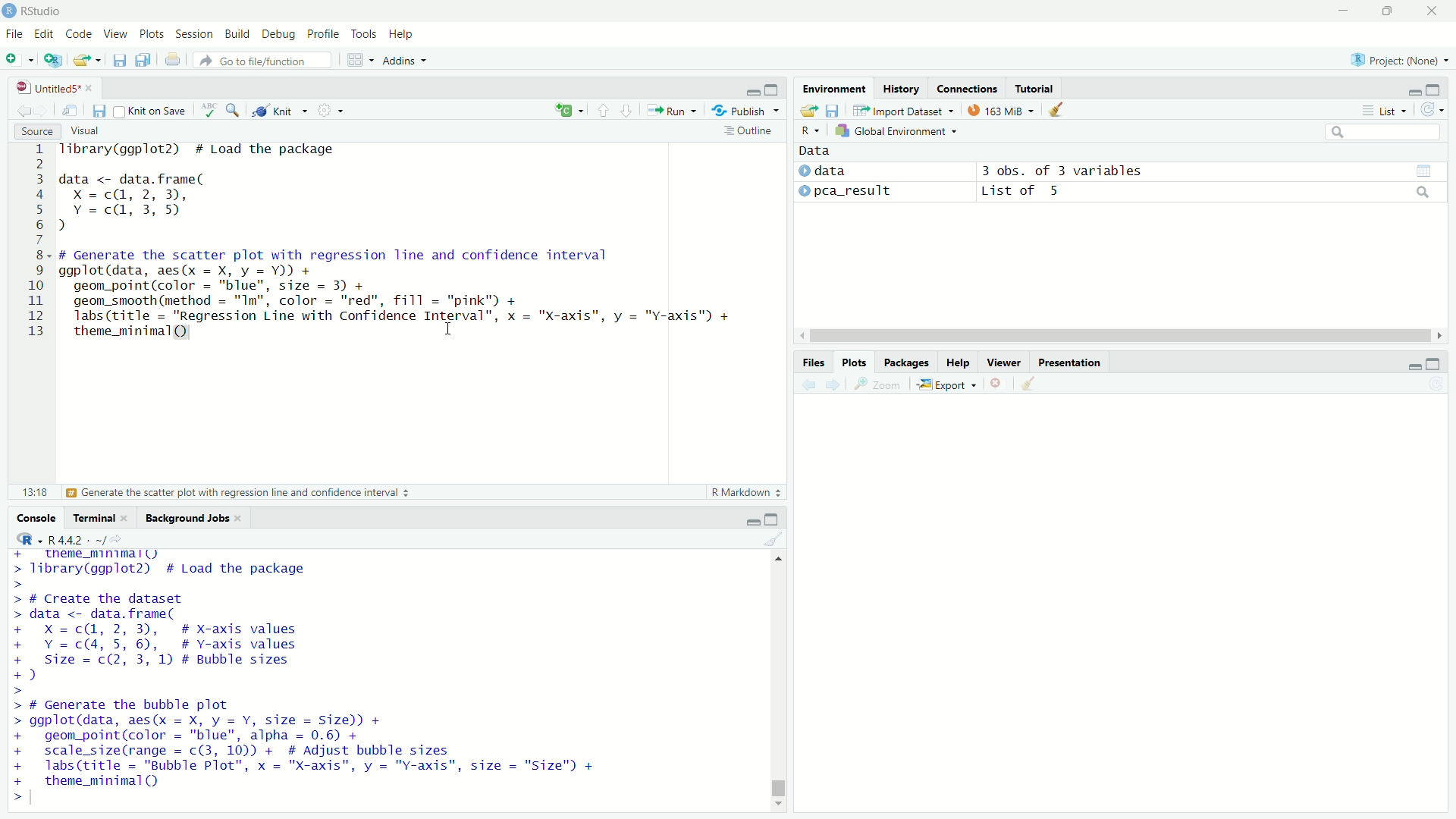  Describe the element at coordinates (1383, 132) in the screenshot. I see `search` at that location.